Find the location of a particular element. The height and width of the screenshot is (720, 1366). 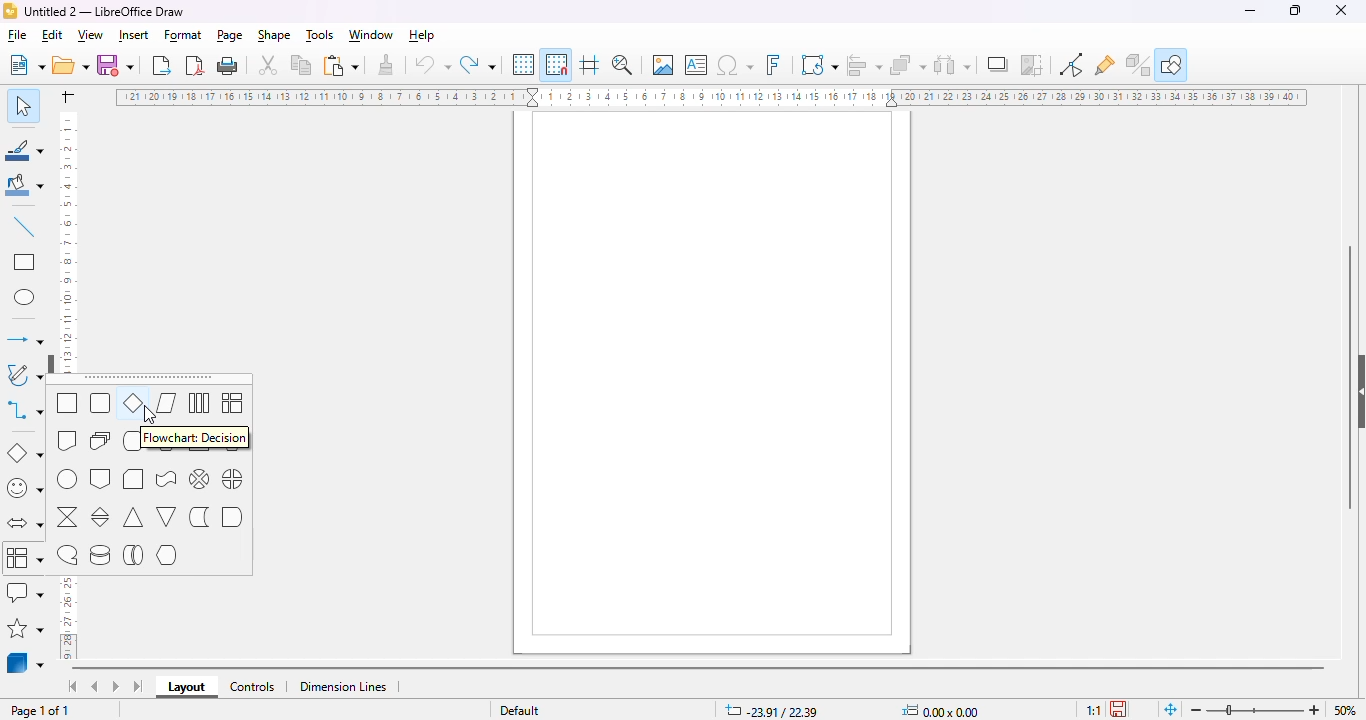

logo is located at coordinates (10, 11).